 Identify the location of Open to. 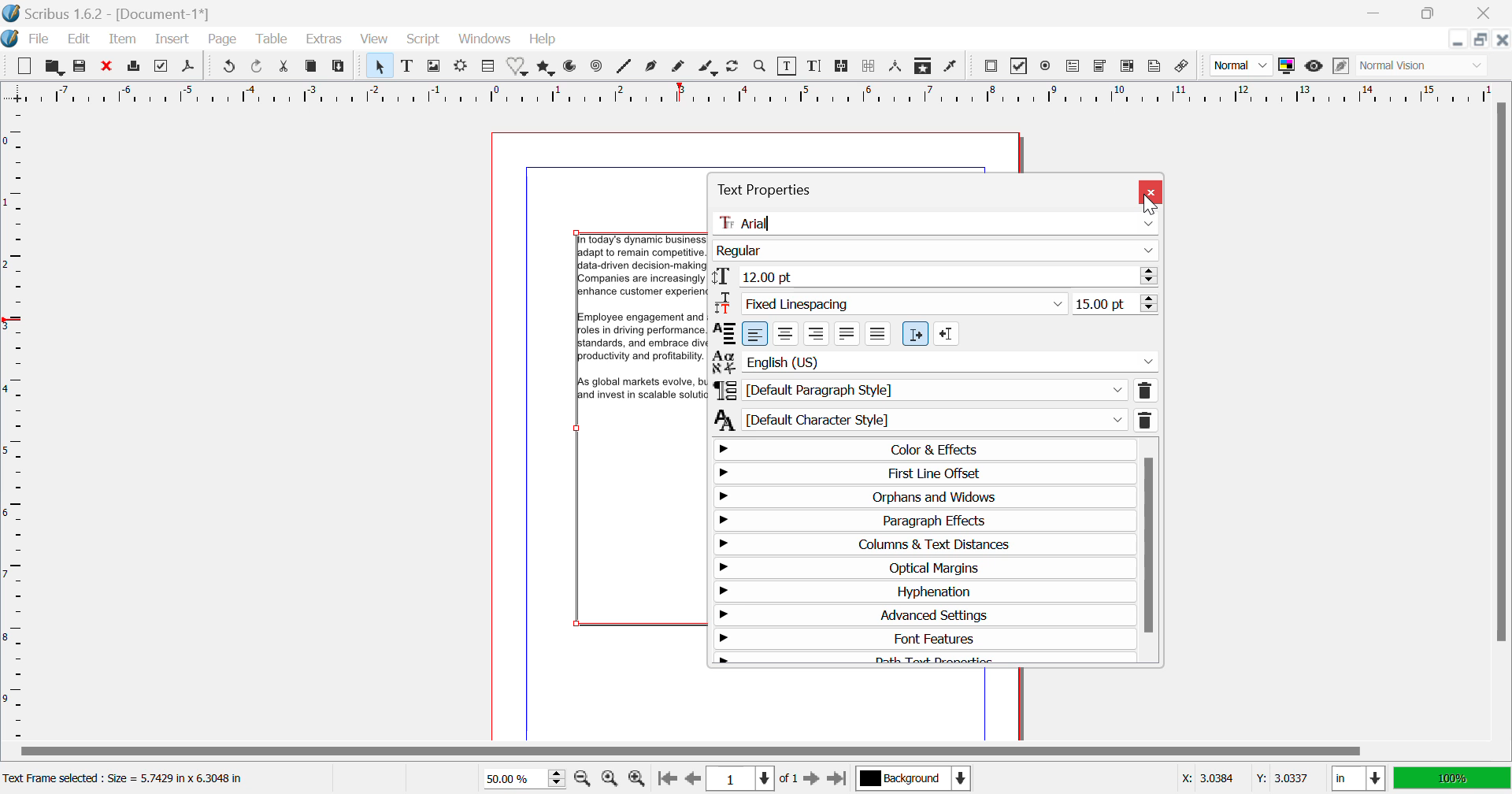
(55, 65).